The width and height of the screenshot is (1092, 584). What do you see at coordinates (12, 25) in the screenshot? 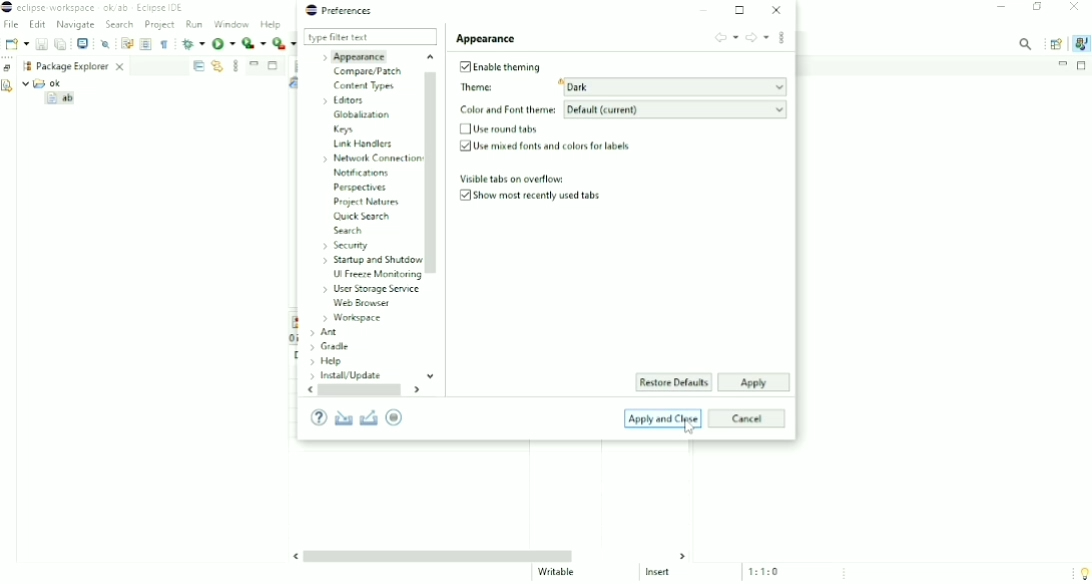
I see `File` at bounding box center [12, 25].